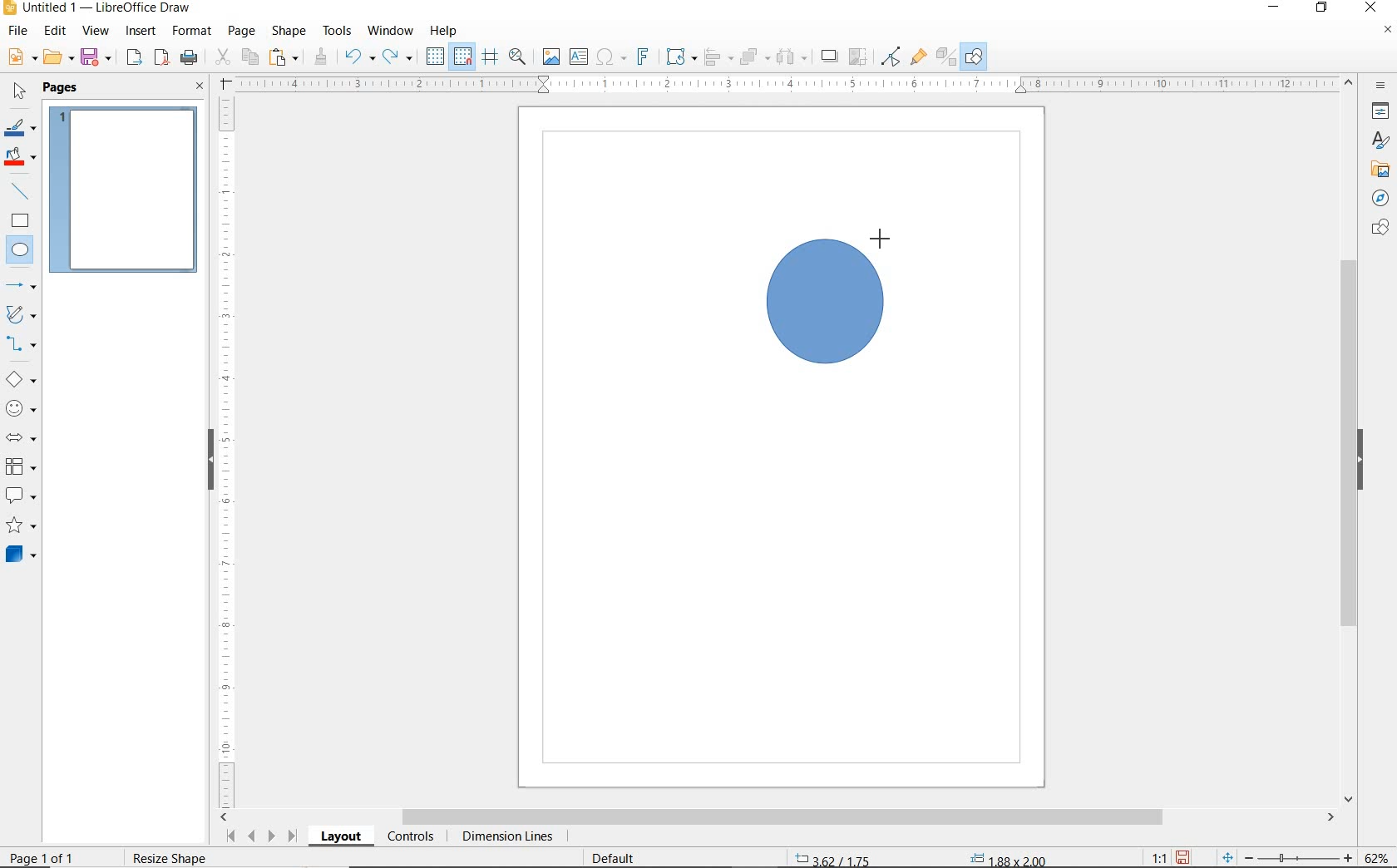  Describe the element at coordinates (609, 58) in the screenshot. I see `INSERT SPECIAL CHARACTERS` at that location.